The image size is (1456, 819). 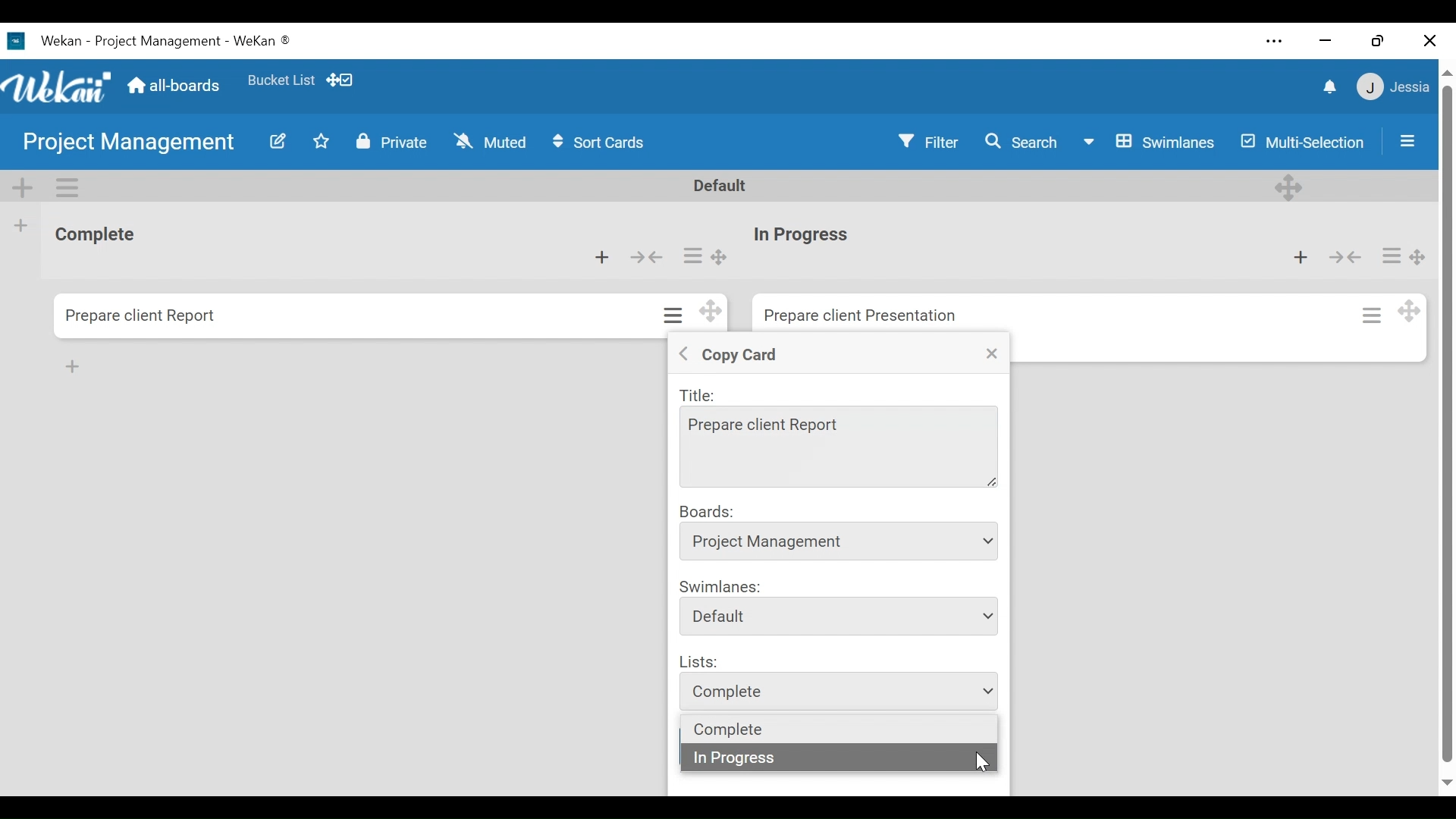 What do you see at coordinates (720, 257) in the screenshot?
I see `Desktop drag handle` at bounding box center [720, 257].